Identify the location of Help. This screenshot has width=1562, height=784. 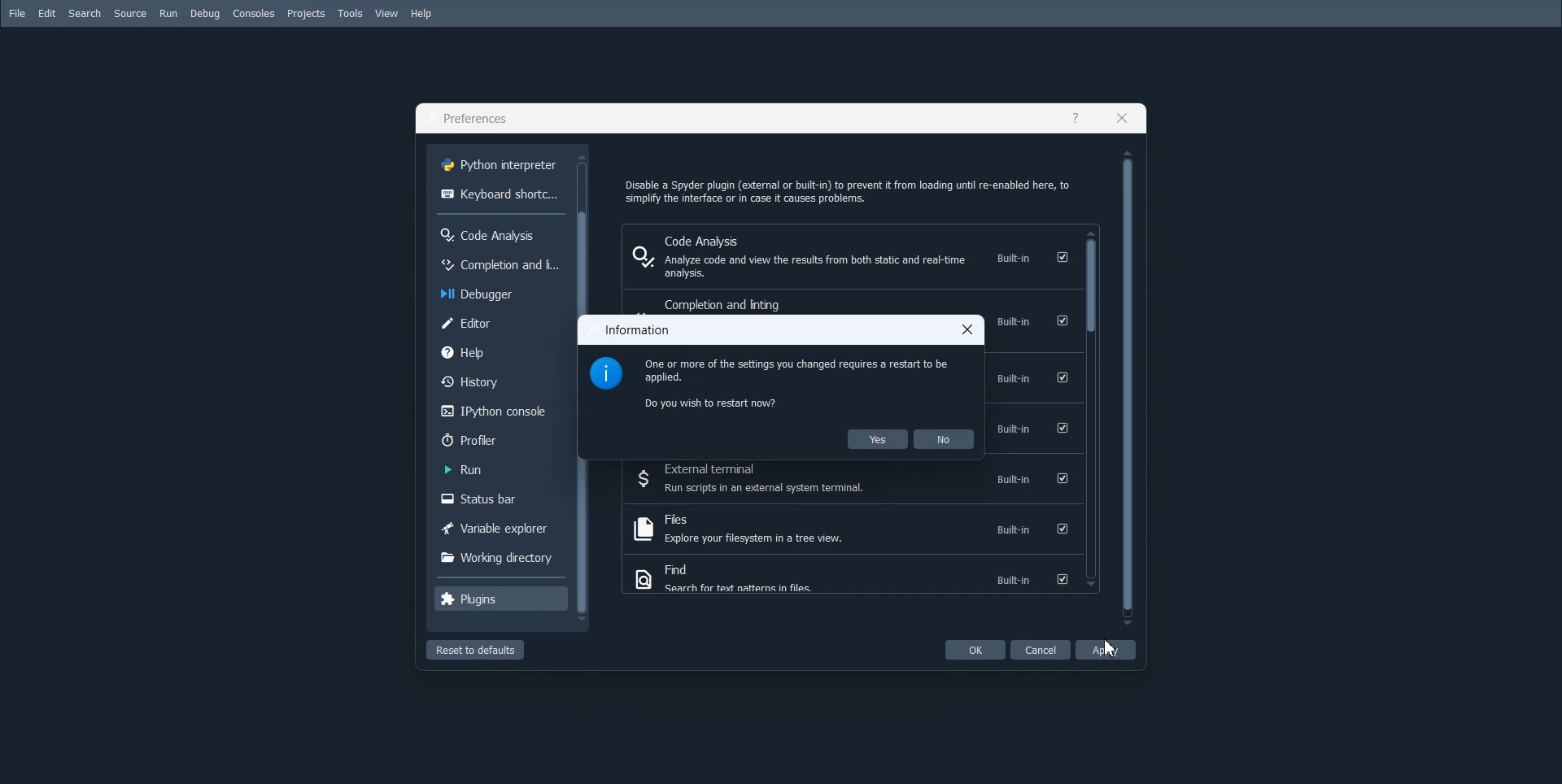
(421, 14).